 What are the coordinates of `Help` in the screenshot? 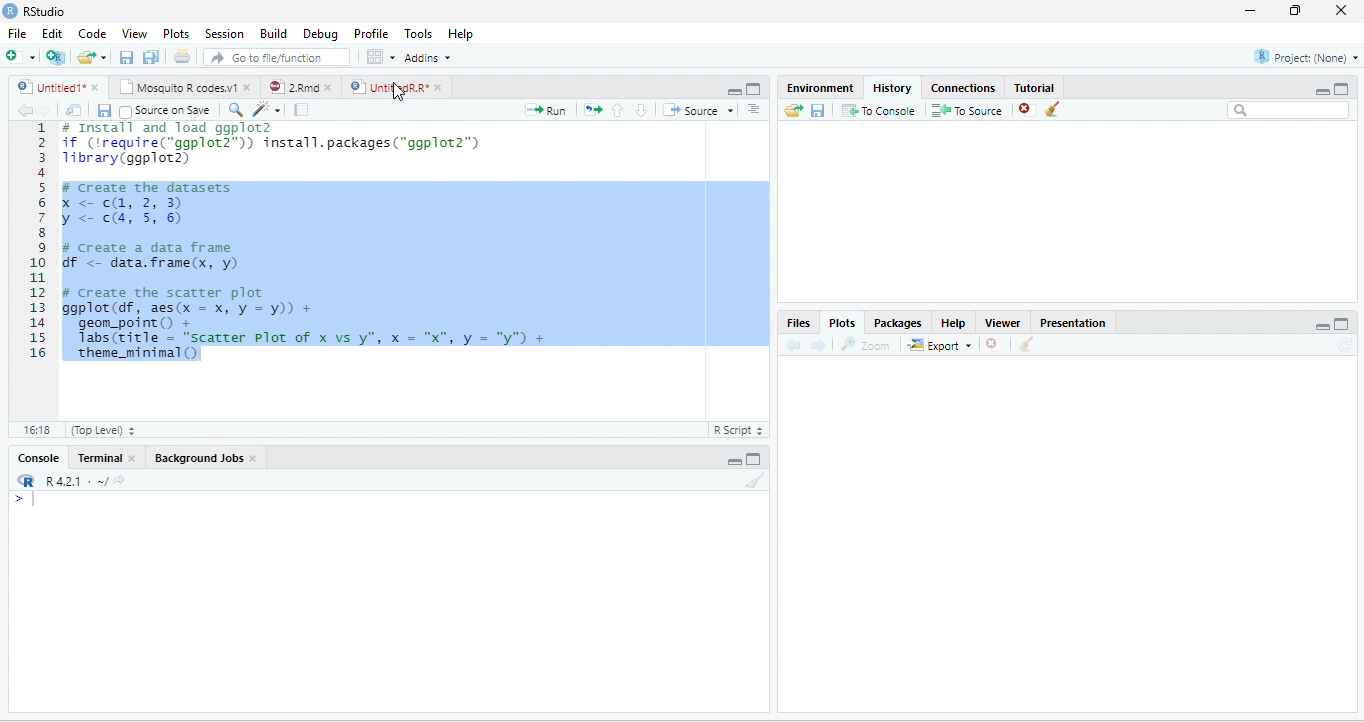 It's located at (953, 322).